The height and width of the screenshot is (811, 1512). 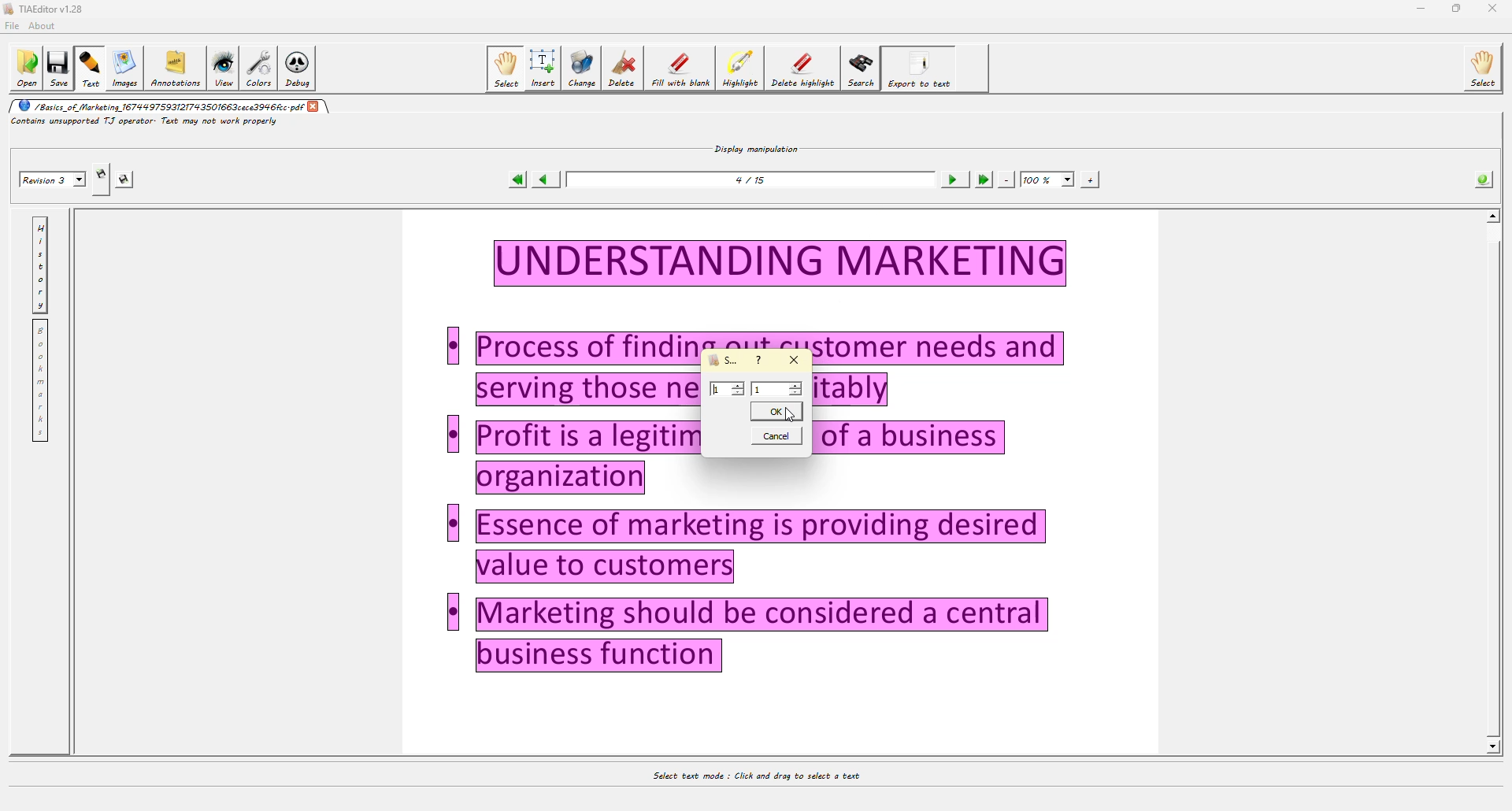 What do you see at coordinates (124, 179) in the screenshot?
I see `saves this revision` at bounding box center [124, 179].